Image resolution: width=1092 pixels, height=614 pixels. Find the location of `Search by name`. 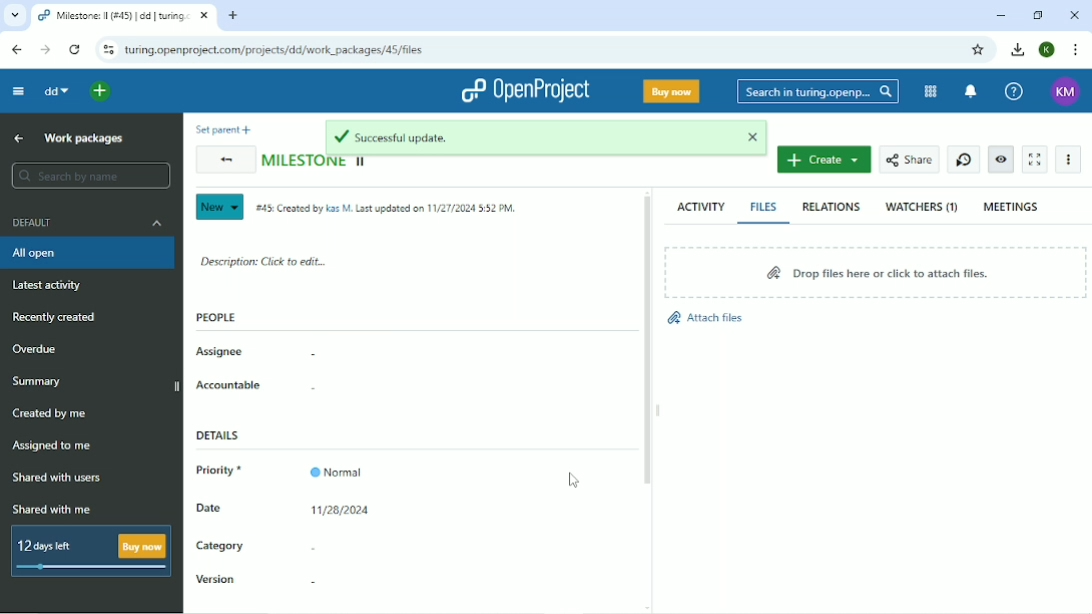

Search by name is located at coordinates (90, 175).